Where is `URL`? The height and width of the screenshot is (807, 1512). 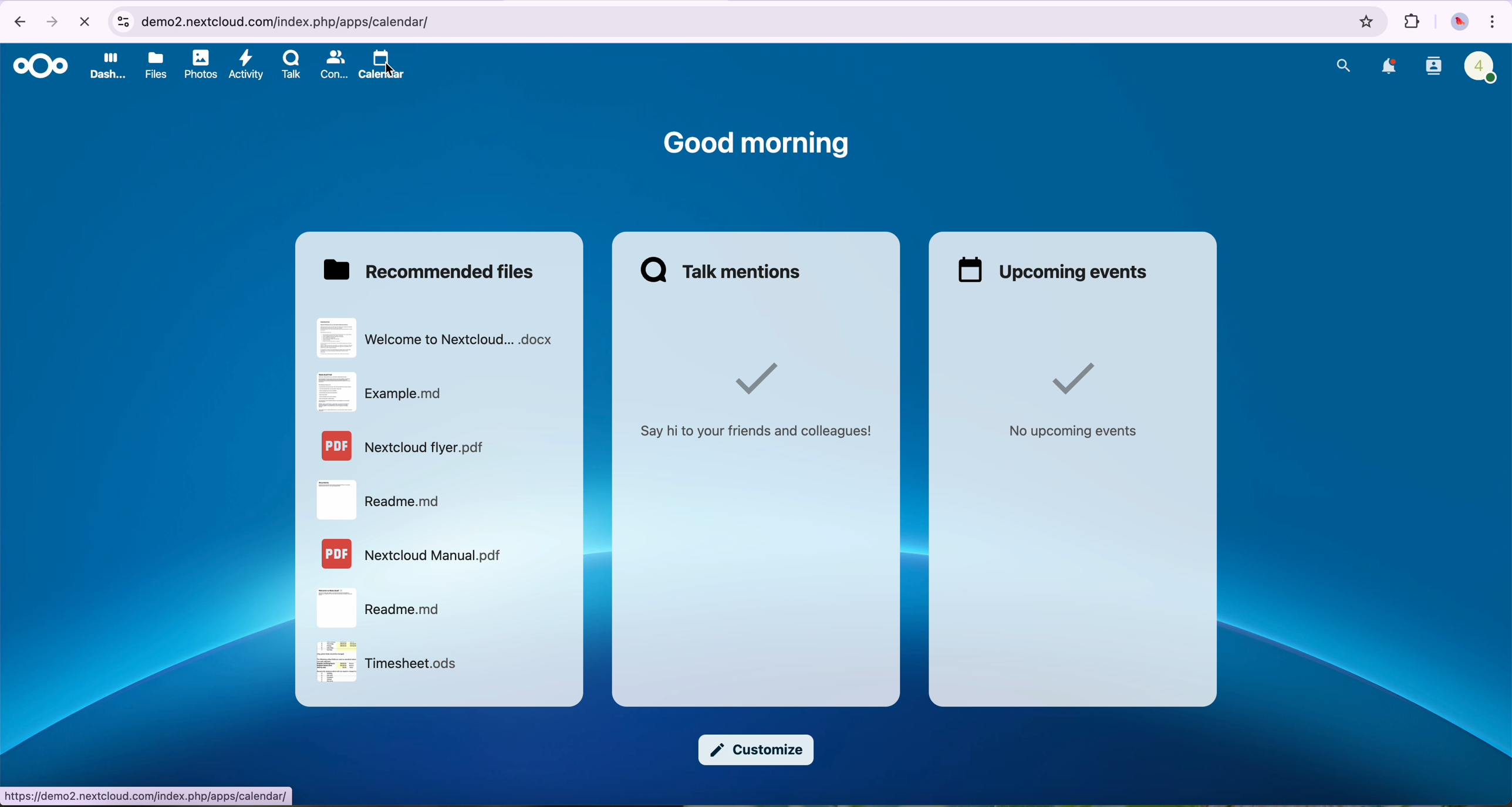 URL is located at coordinates (147, 795).